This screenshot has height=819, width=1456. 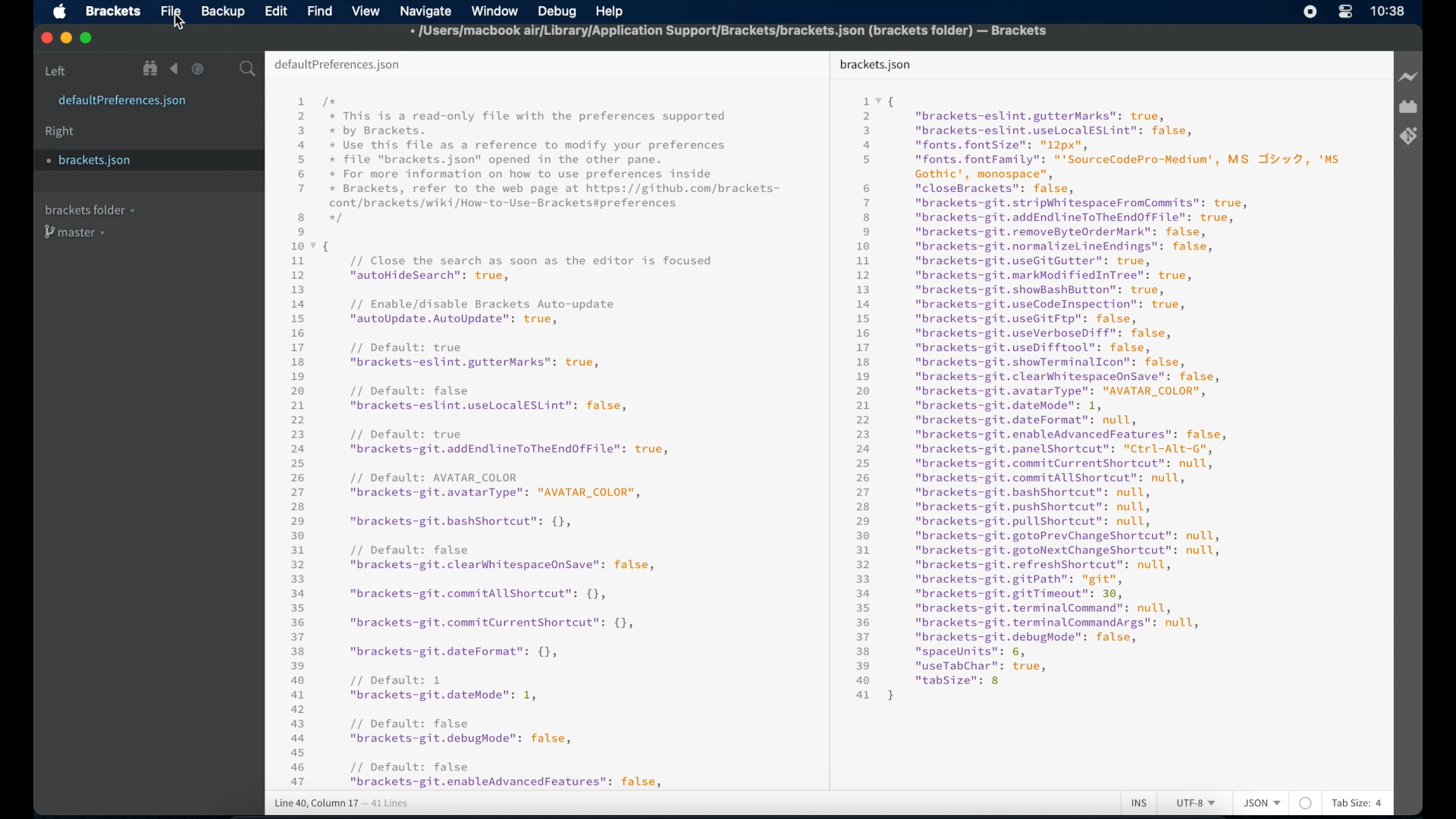 I want to click on divider, so click(x=826, y=419).